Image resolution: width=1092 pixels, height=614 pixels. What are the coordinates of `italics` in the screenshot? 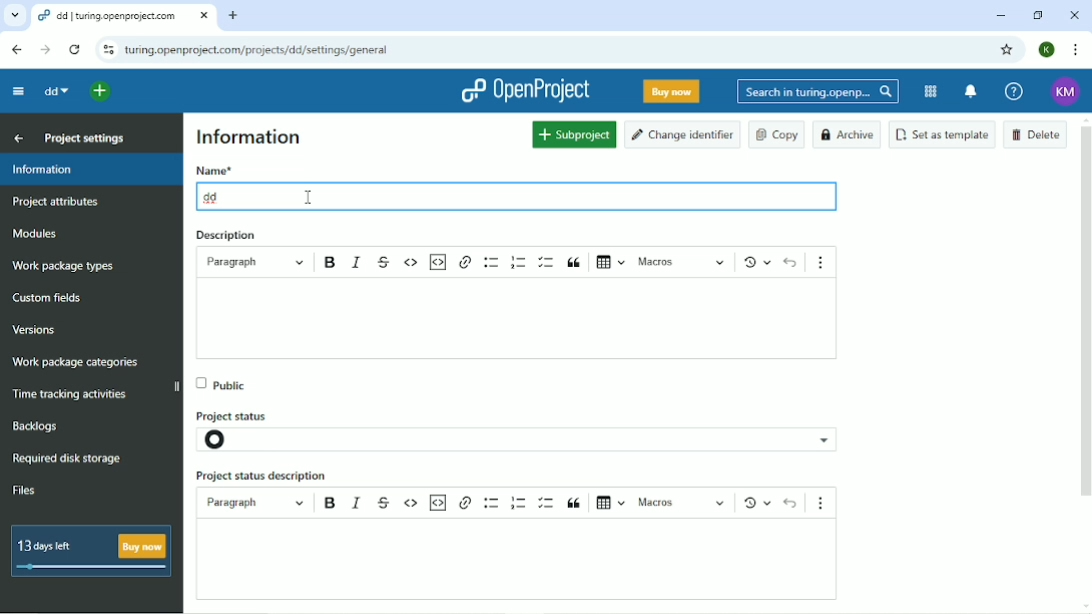 It's located at (359, 501).